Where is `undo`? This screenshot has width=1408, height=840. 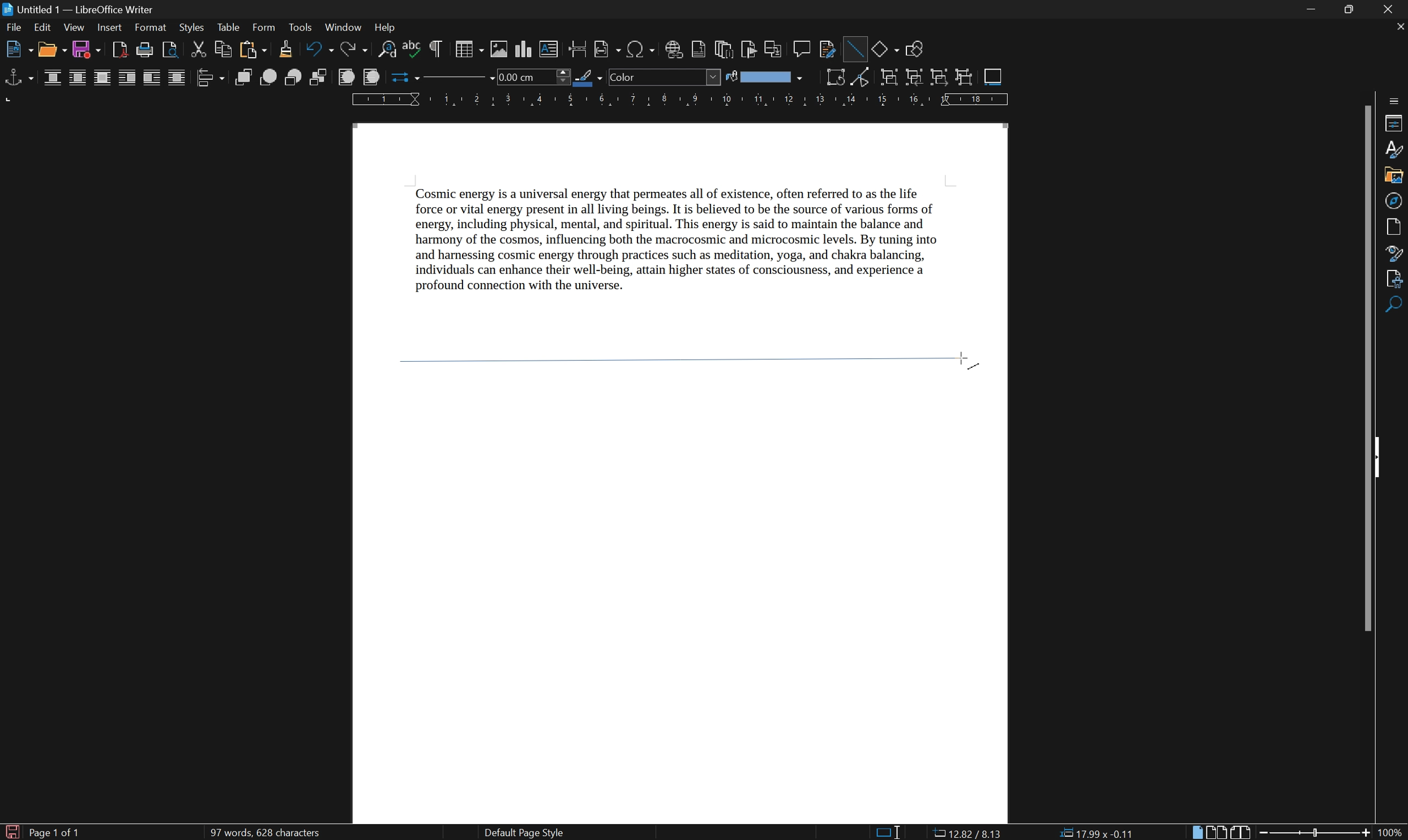
undo is located at coordinates (320, 50).